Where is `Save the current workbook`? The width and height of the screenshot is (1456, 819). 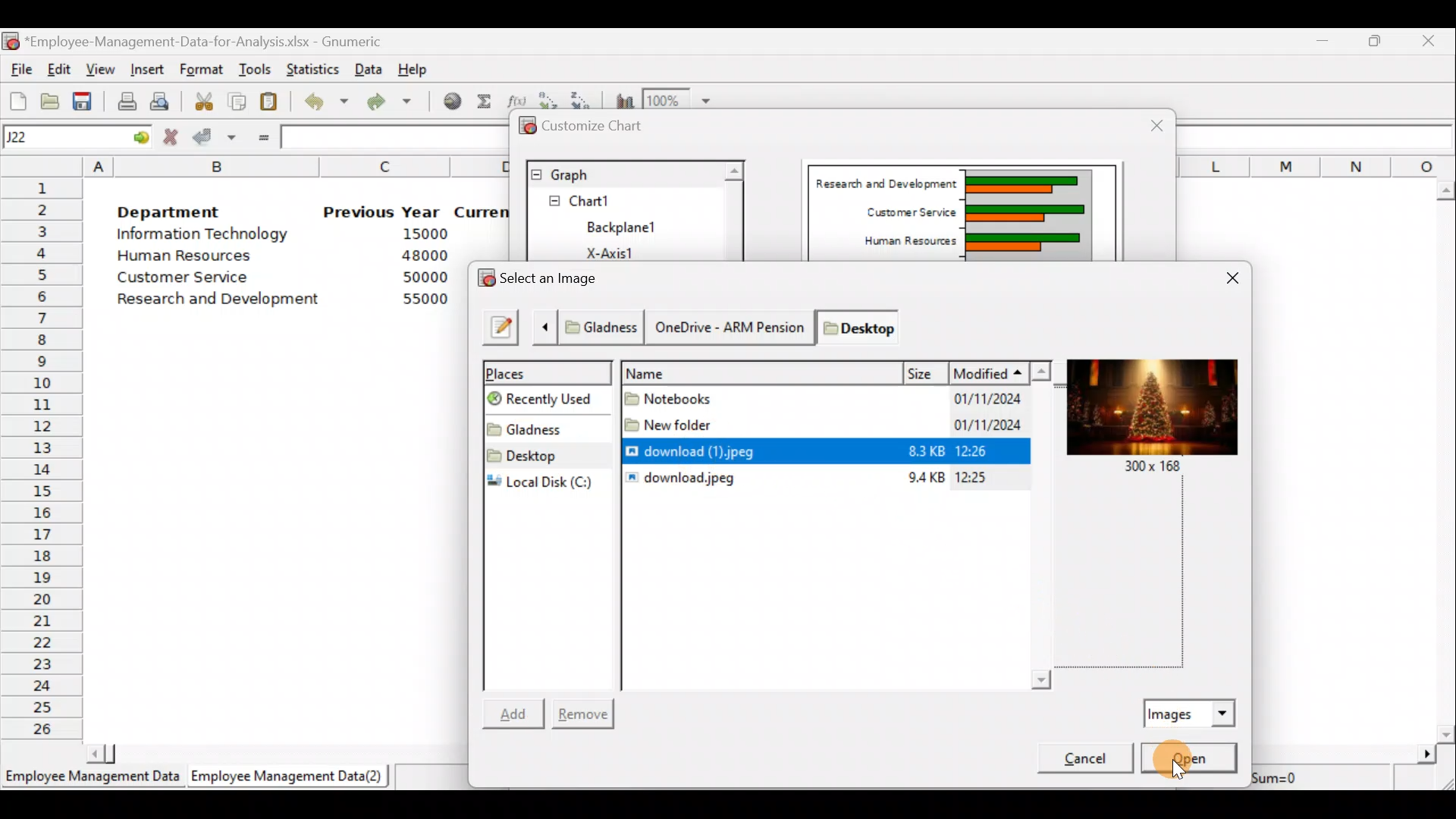
Save the current workbook is located at coordinates (83, 99).